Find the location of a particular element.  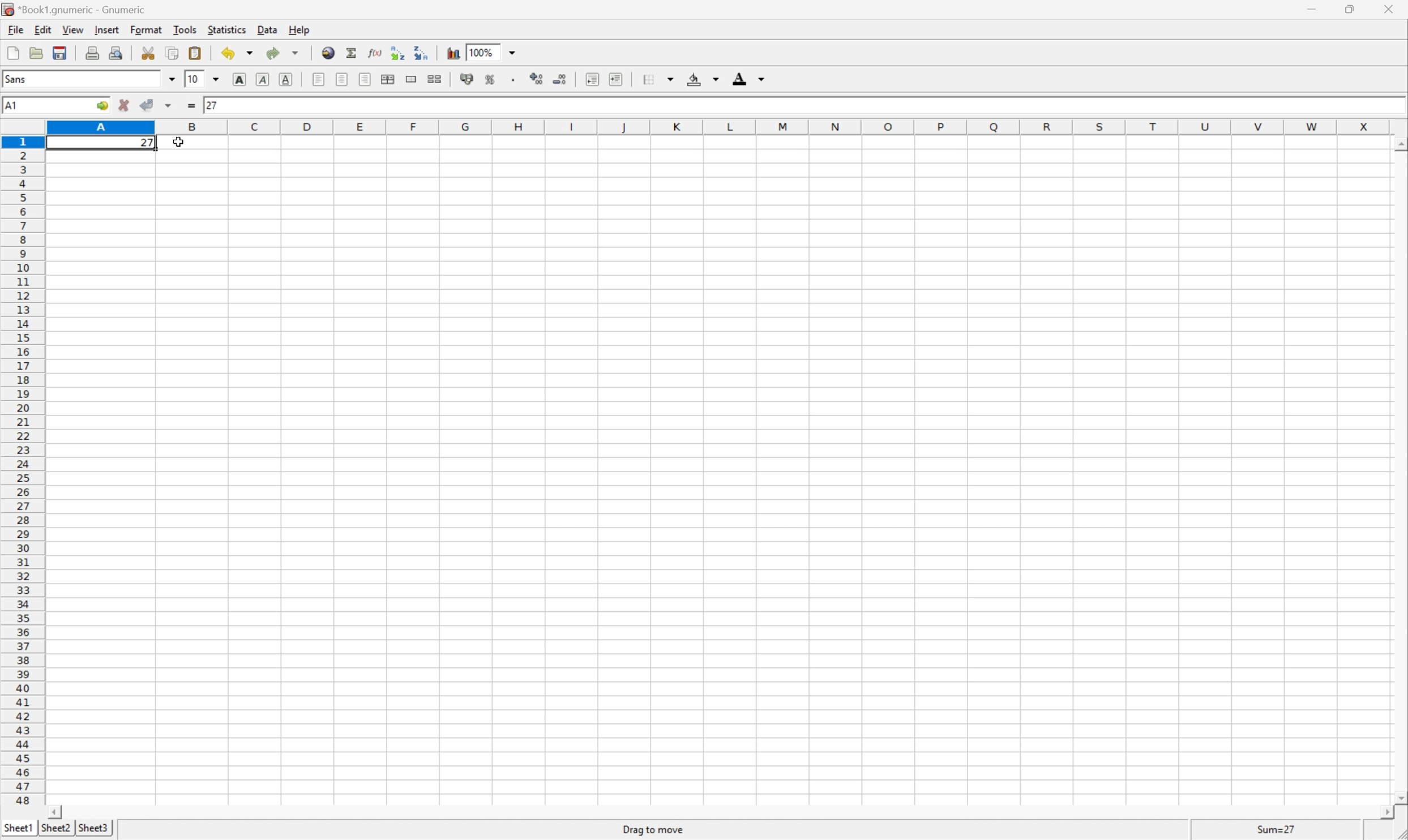

Sheet1 is located at coordinates (19, 828).